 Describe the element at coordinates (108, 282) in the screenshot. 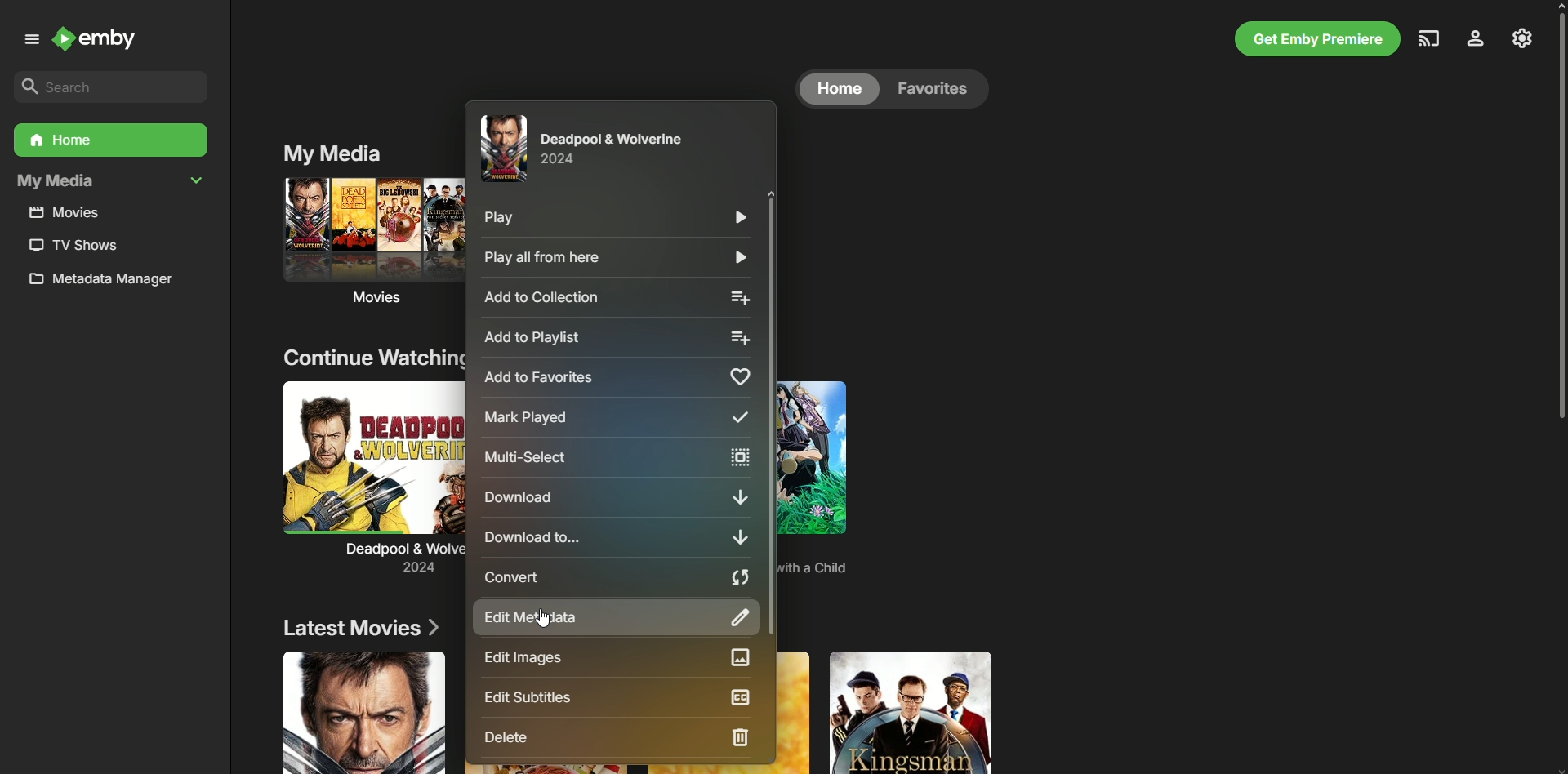

I see `Metadata manager` at that location.